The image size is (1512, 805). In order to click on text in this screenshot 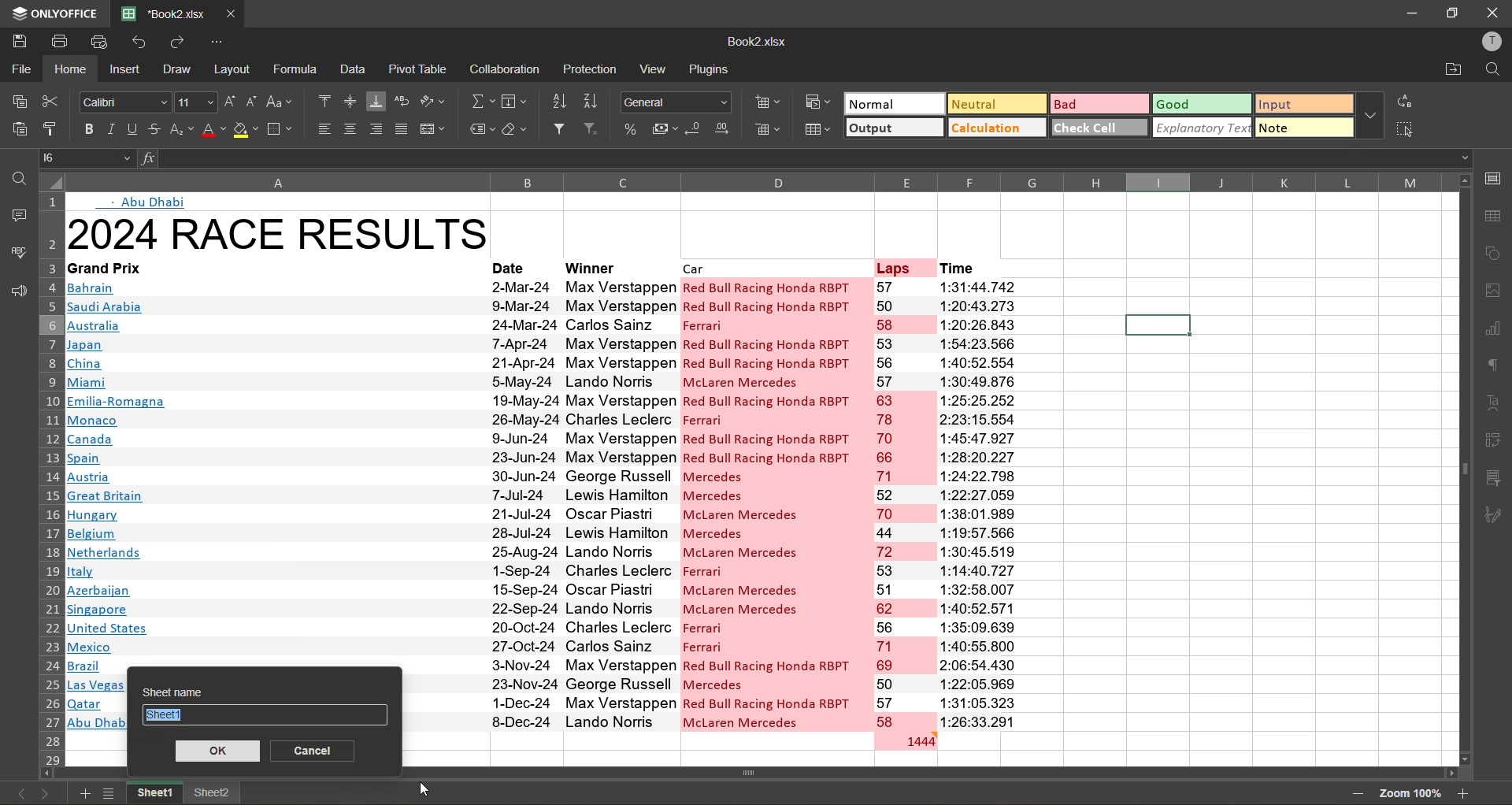, I will do `click(144, 201)`.